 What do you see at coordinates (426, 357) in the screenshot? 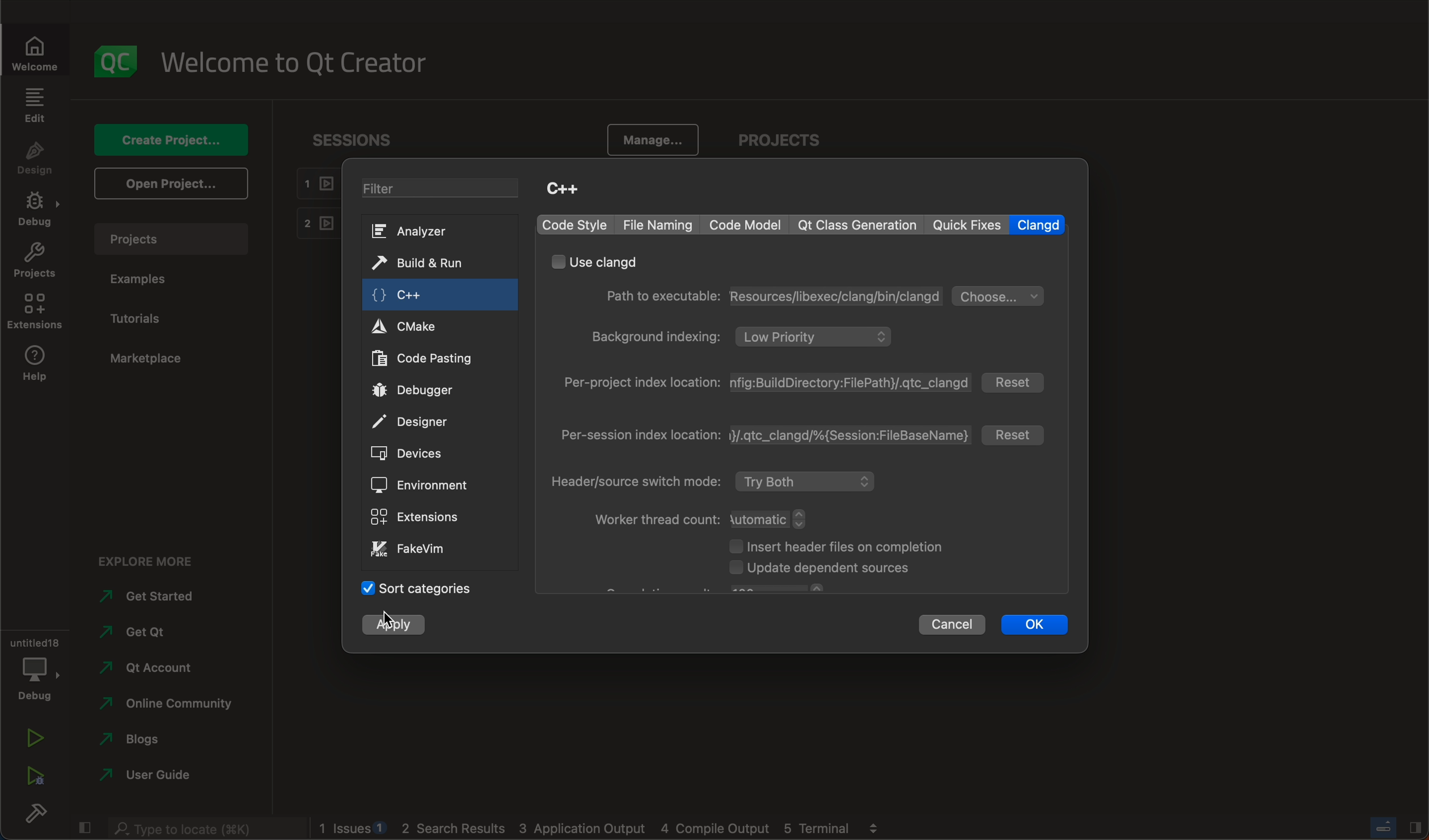
I see `fake vim` at bounding box center [426, 357].